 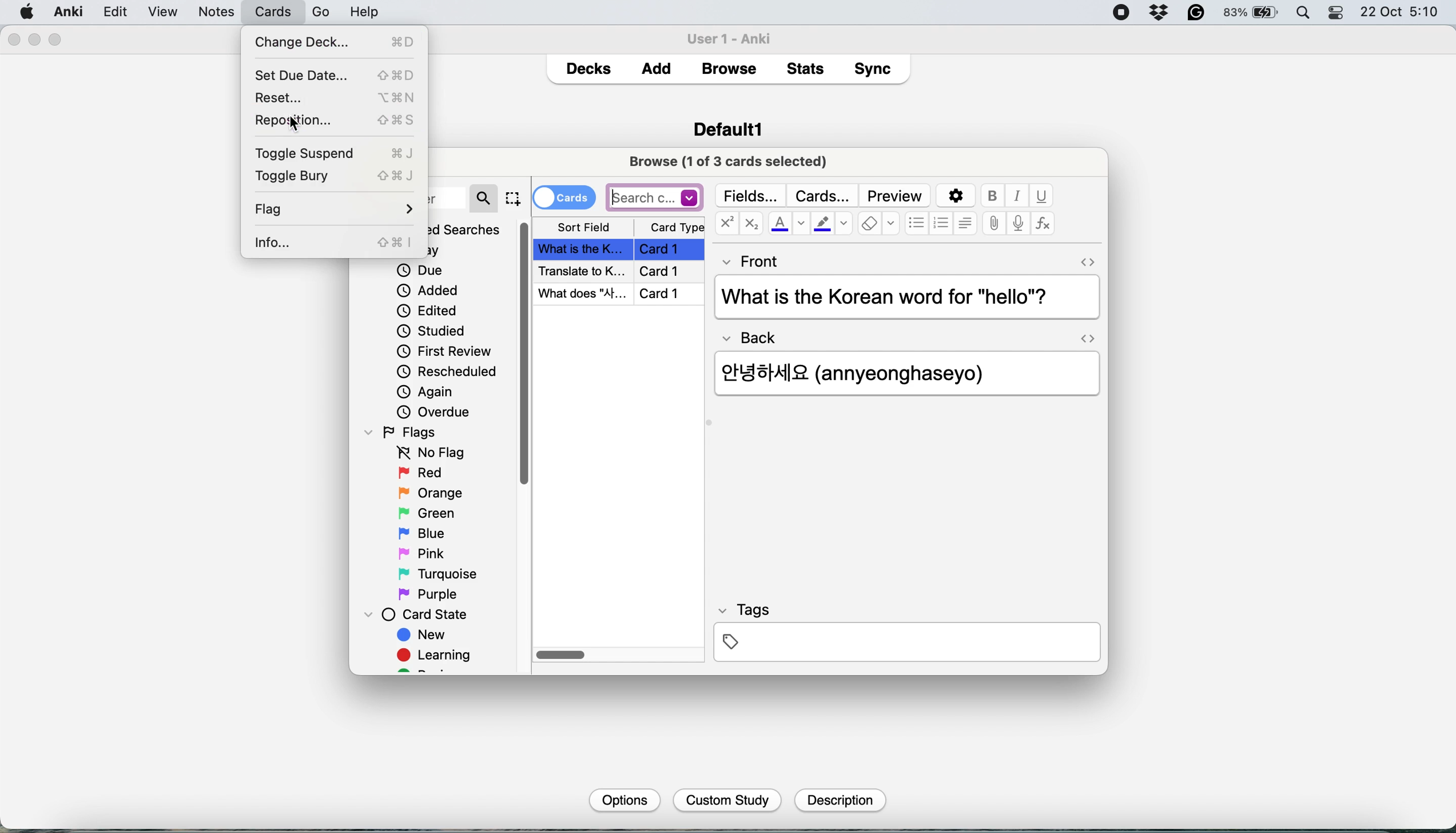 What do you see at coordinates (735, 37) in the screenshot?
I see `user 1 - Anki` at bounding box center [735, 37].